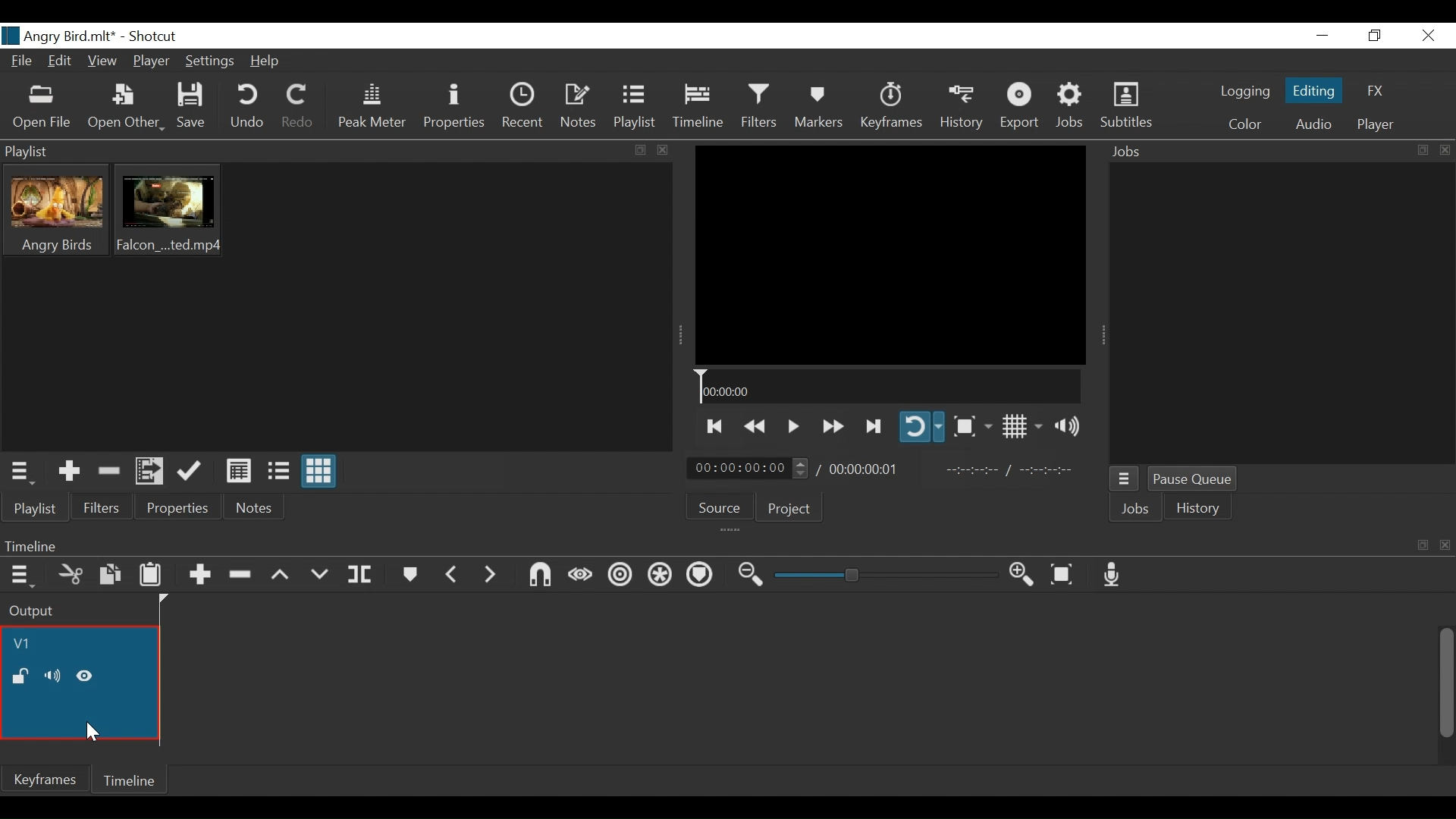 The width and height of the screenshot is (1456, 819). I want to click on Properties, so click(181, 508).